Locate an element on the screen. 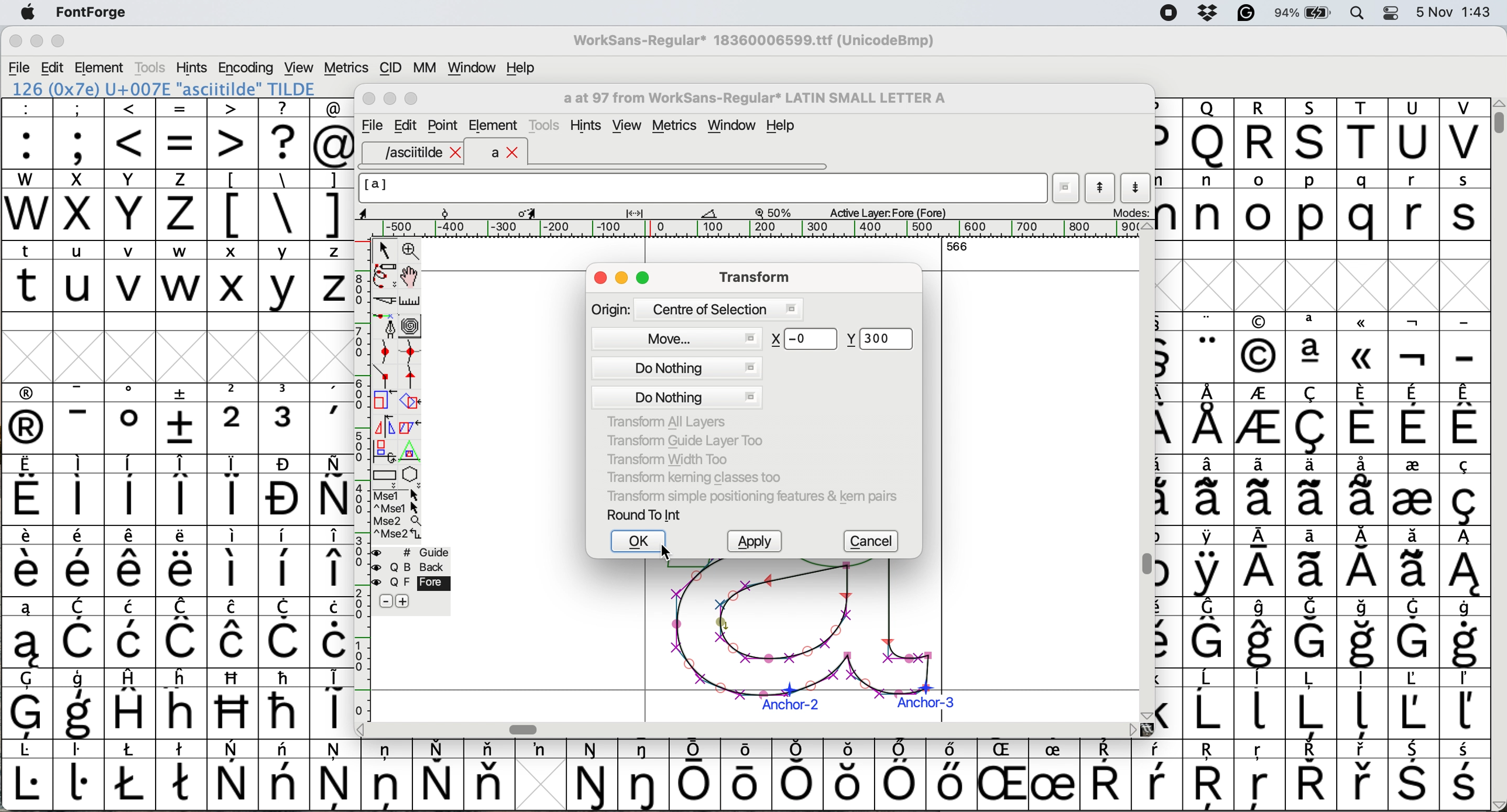 This screenshot has width=1507, height=812. symbol is located at coordinates (1211, 490).